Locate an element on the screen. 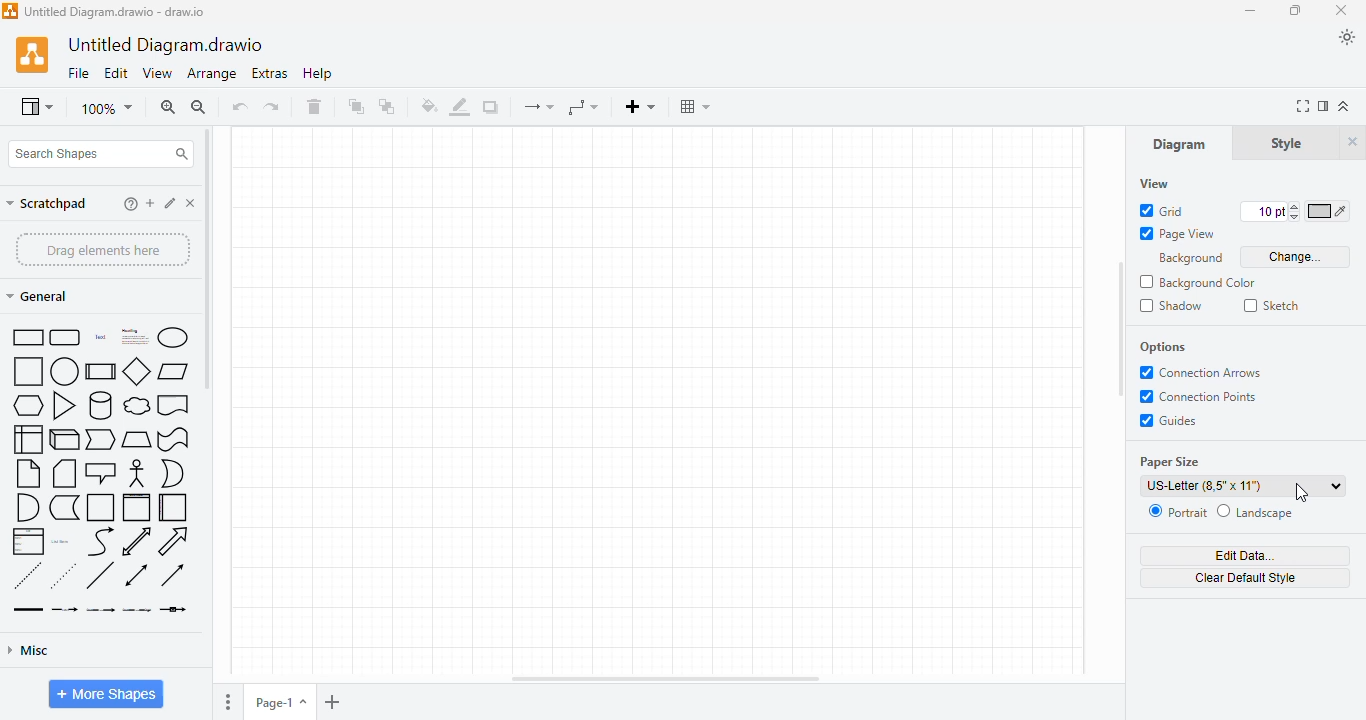 The height and width of the screenshot is (720, 1366). delete is located at coordinates (314, 106).